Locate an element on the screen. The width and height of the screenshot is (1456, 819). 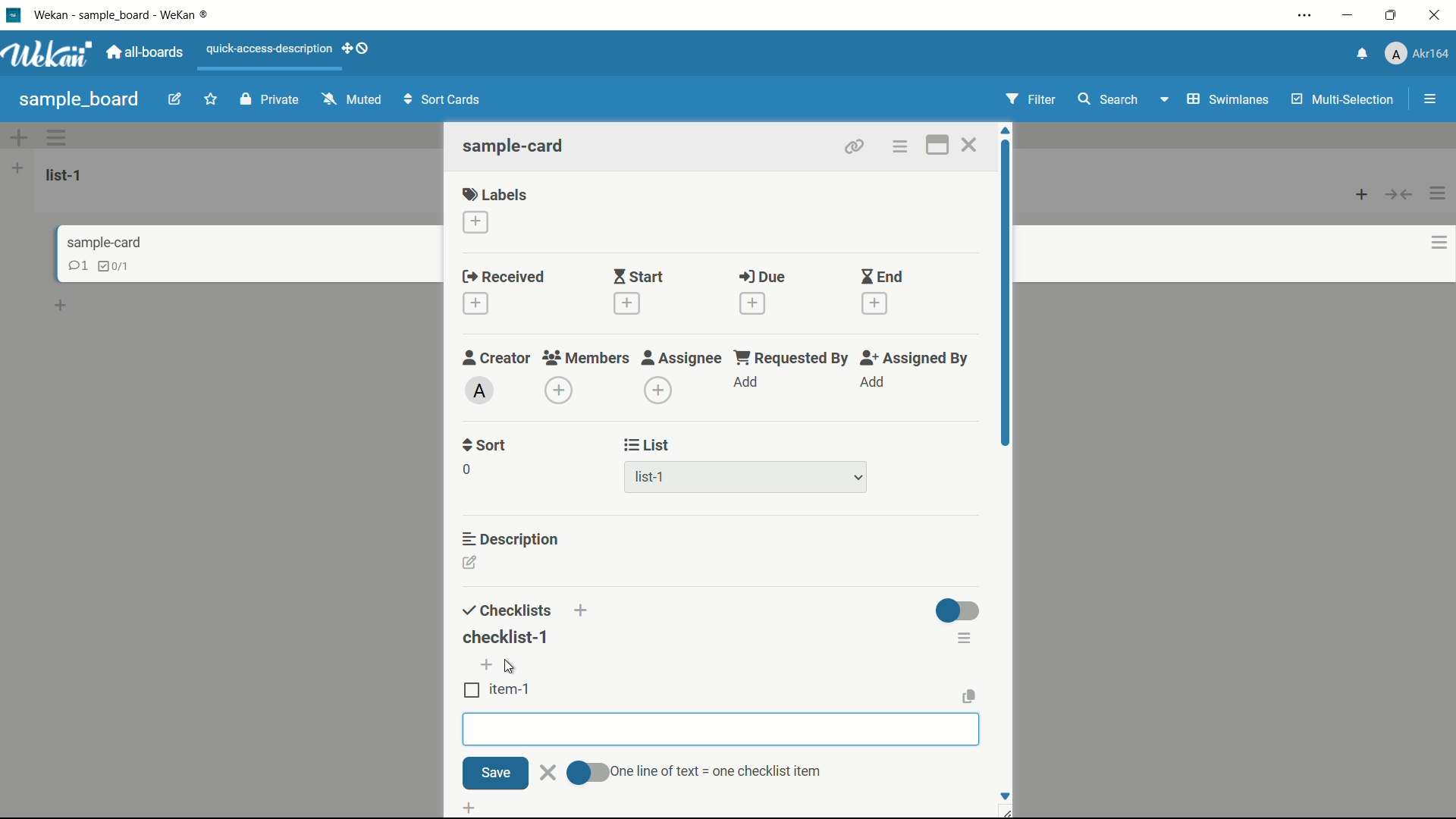
profile is located at coordinates (1418, 55).